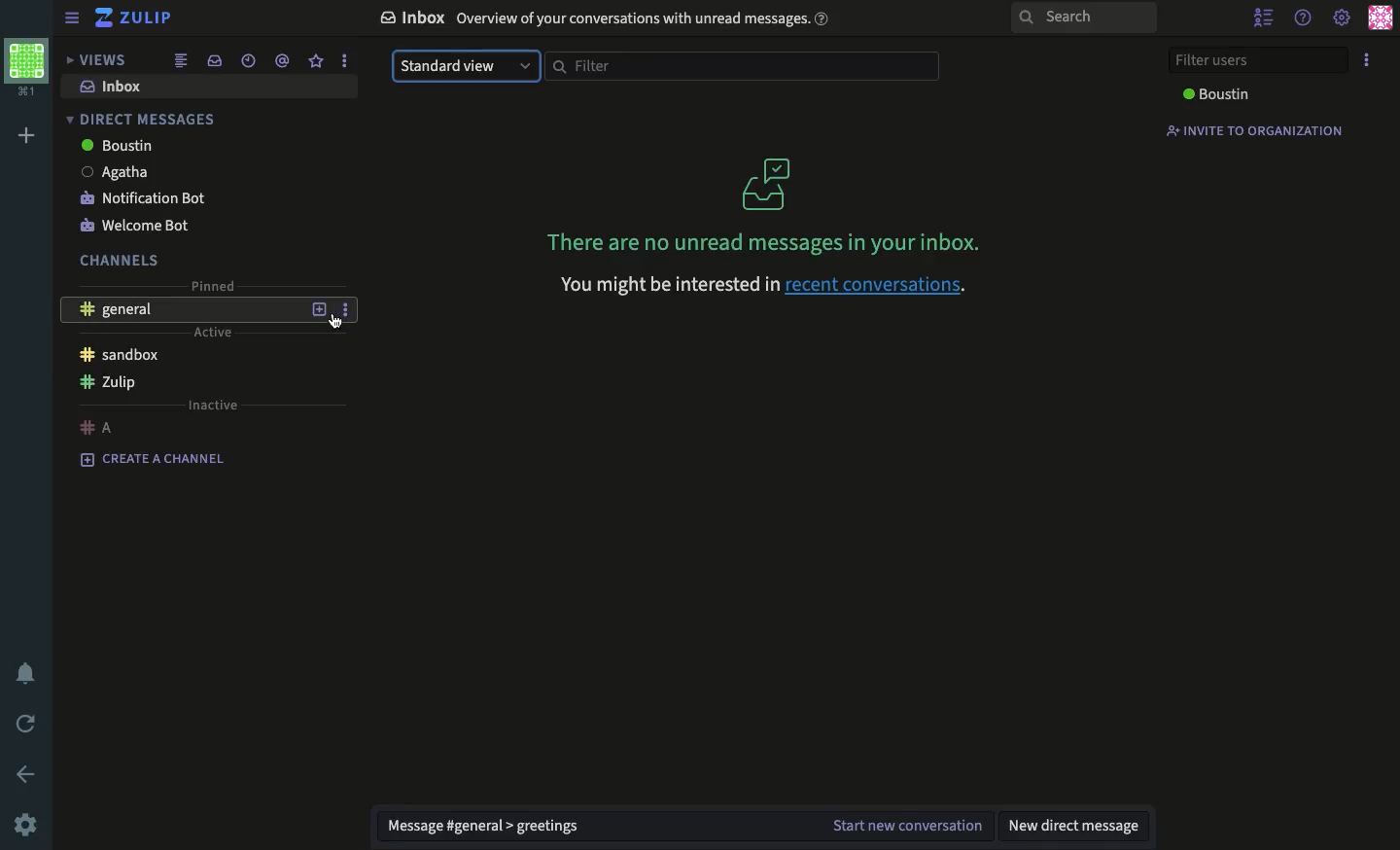  What do you see at coordinates (345, 61) in the screenshot?
I see `options` at bounding box center [345, 61].